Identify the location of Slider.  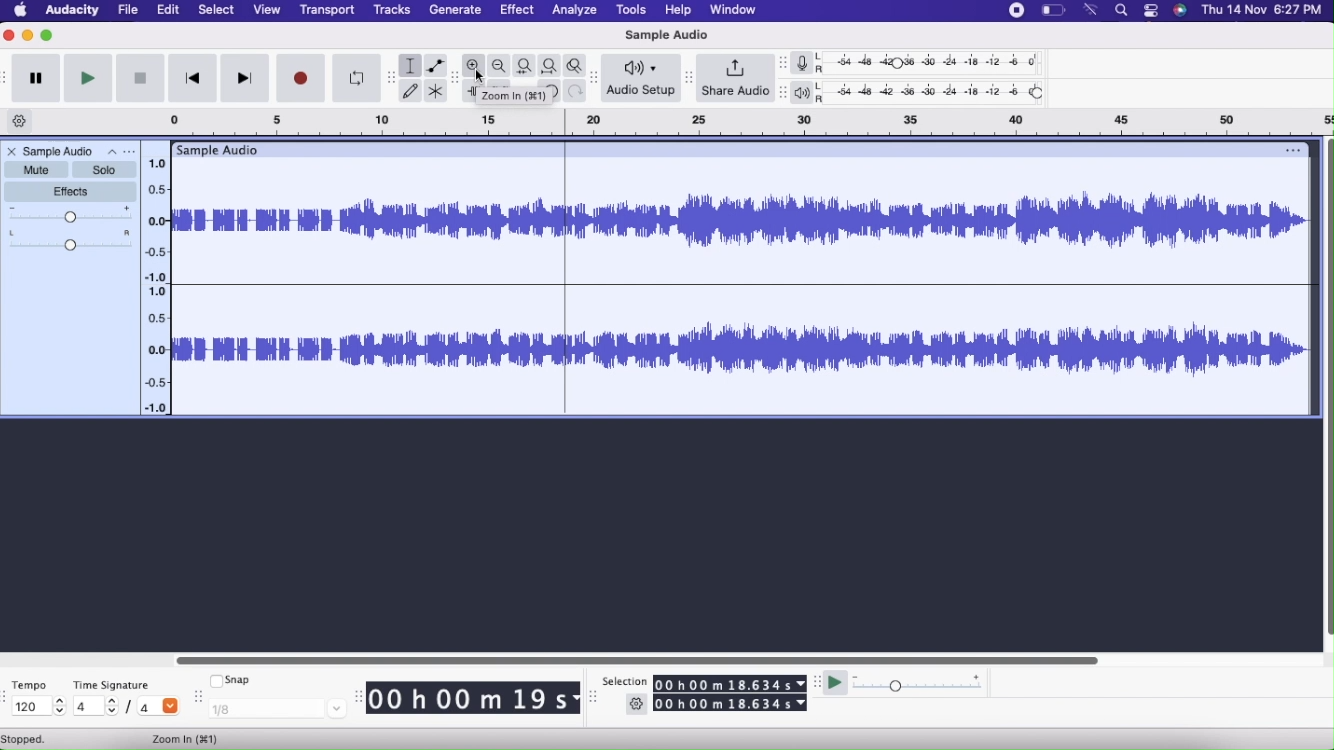
(629, 658).